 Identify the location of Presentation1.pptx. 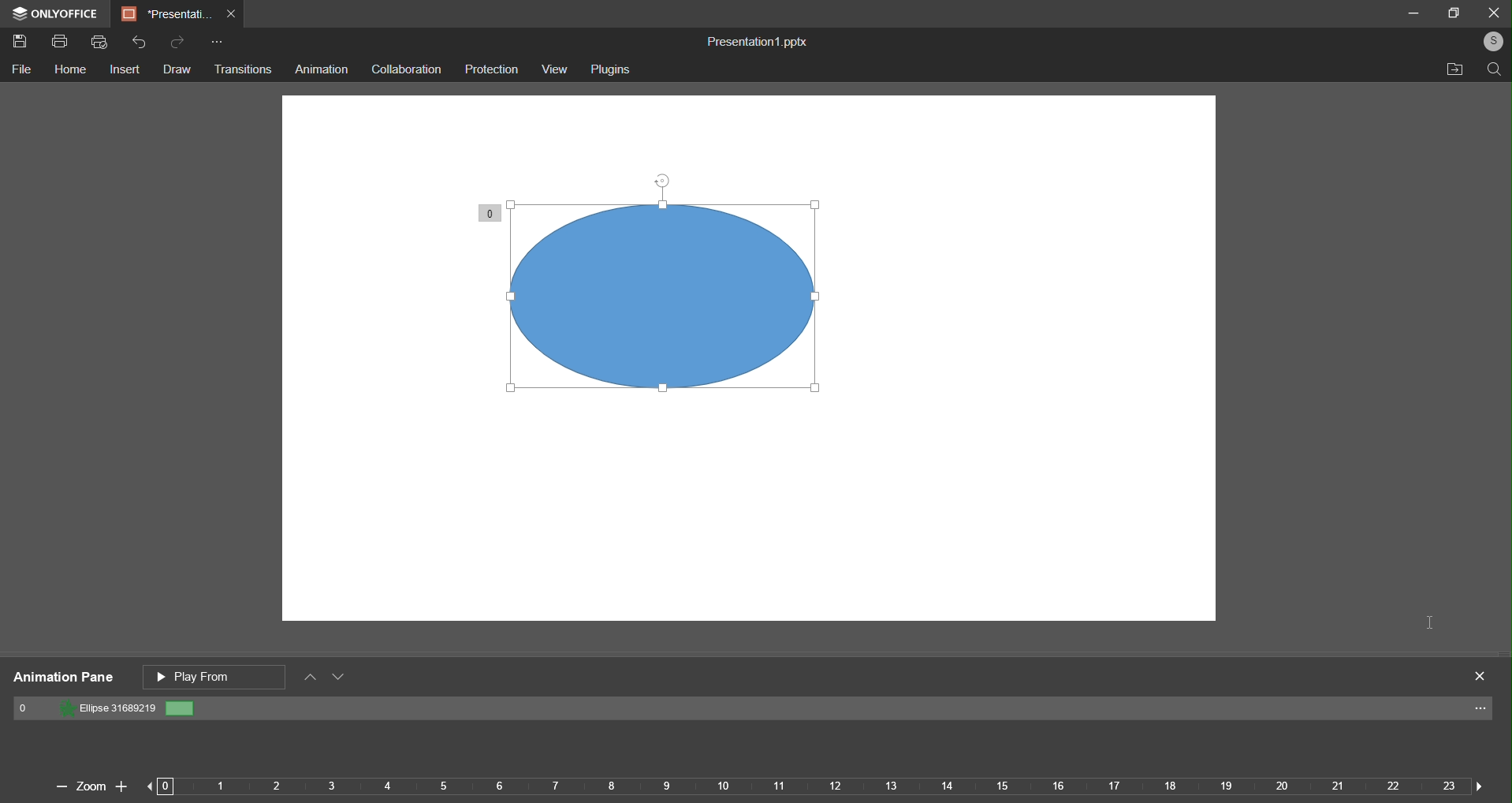
(753, 39).